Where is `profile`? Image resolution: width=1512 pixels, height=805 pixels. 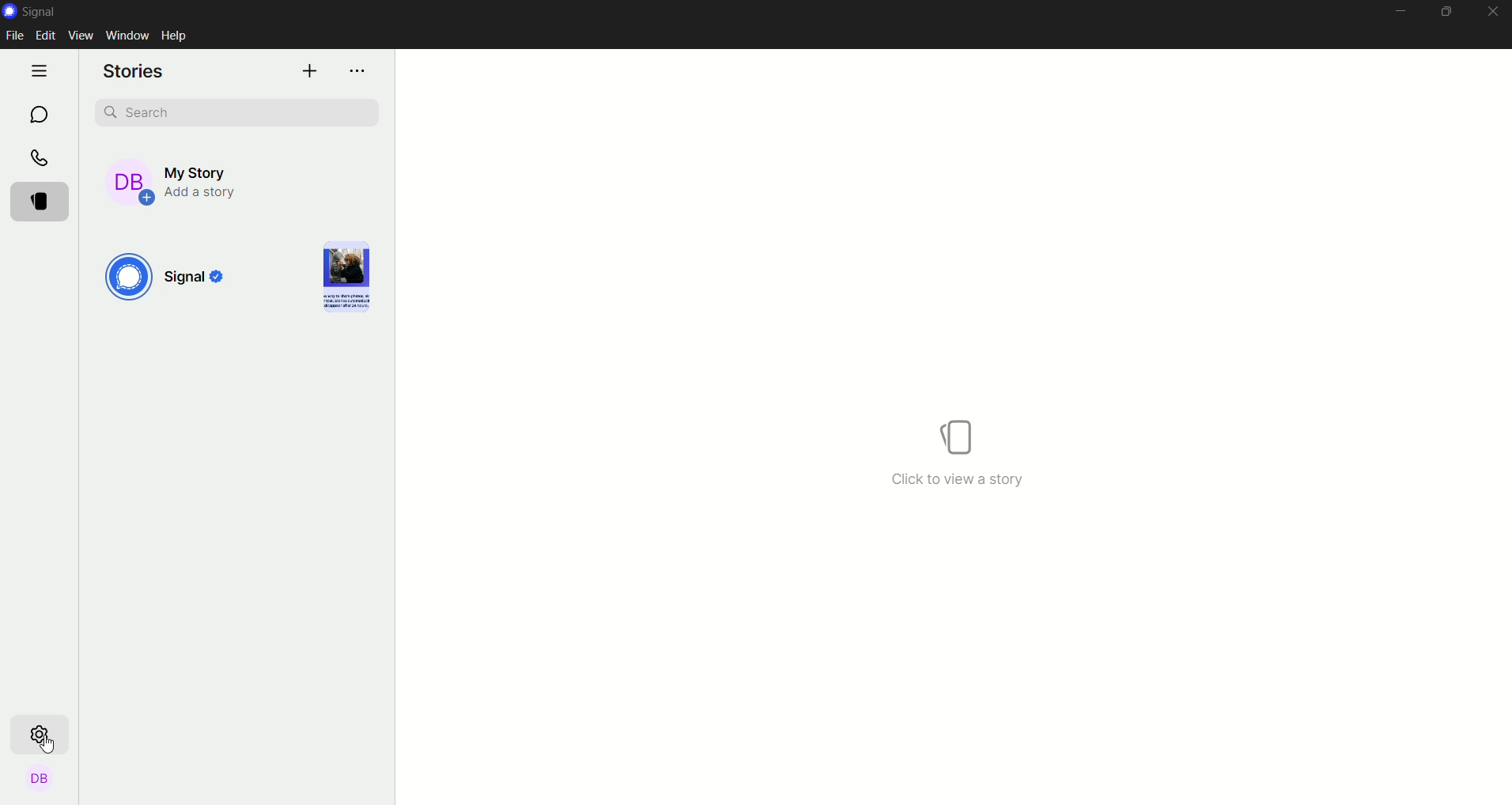 profile is located at coordinates (40, 780).